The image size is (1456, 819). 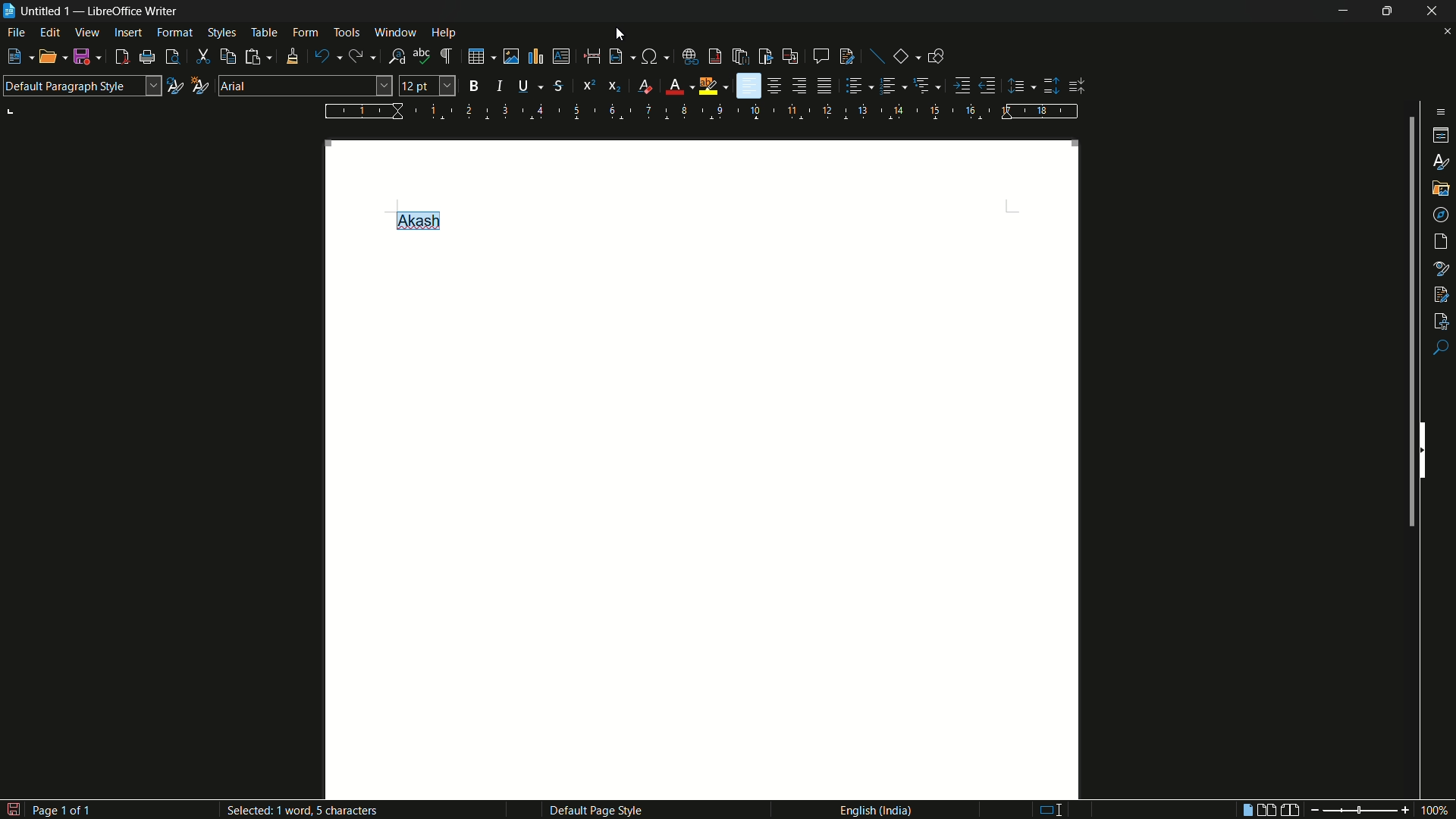 What do you see at coordinates (1442, 136) in the screenshot?
I see `properties` at bounding box center [1442, 136].